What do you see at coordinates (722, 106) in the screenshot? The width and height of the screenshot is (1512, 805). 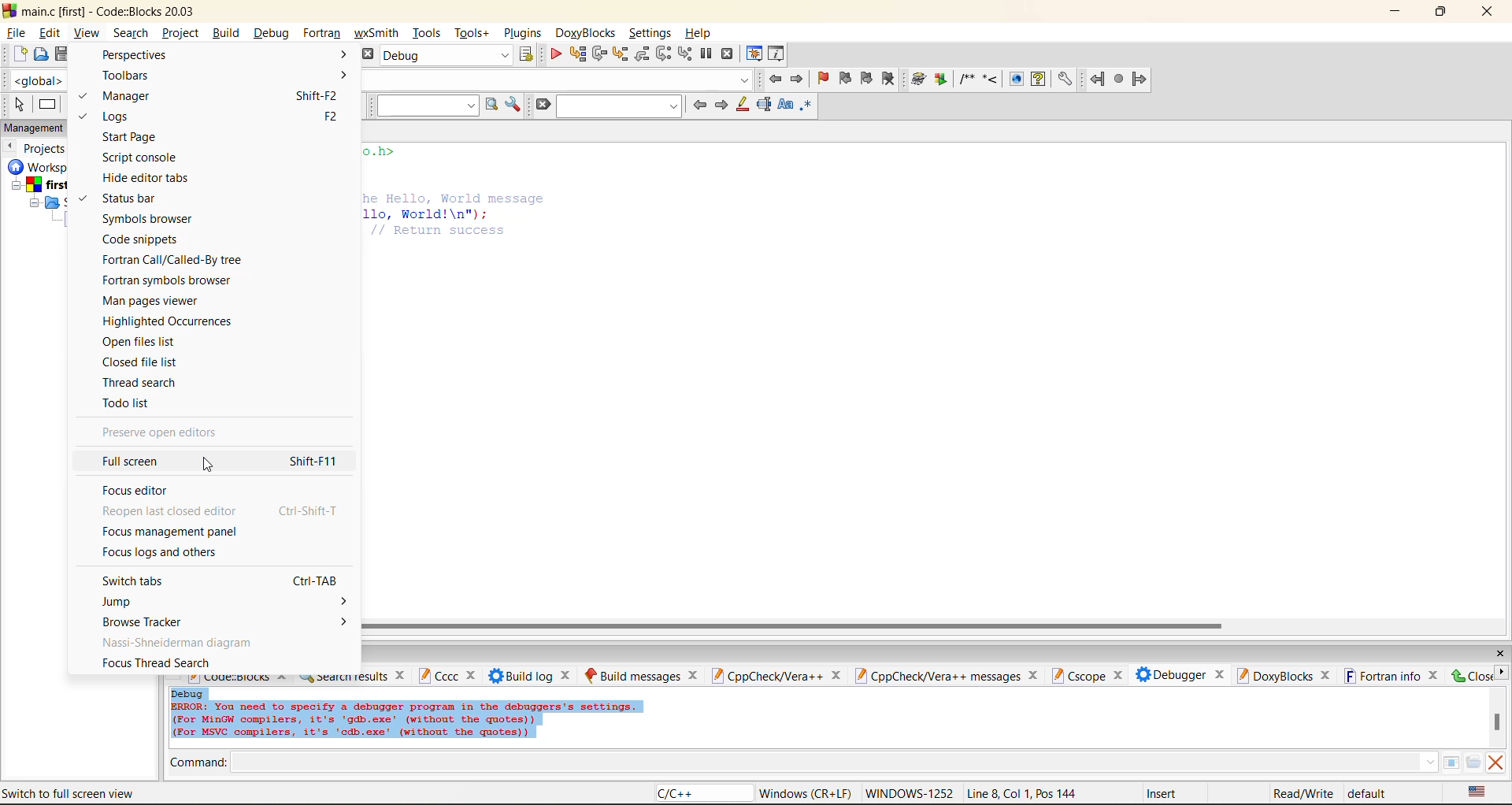 I see `next` at bounding box center [722, 106].